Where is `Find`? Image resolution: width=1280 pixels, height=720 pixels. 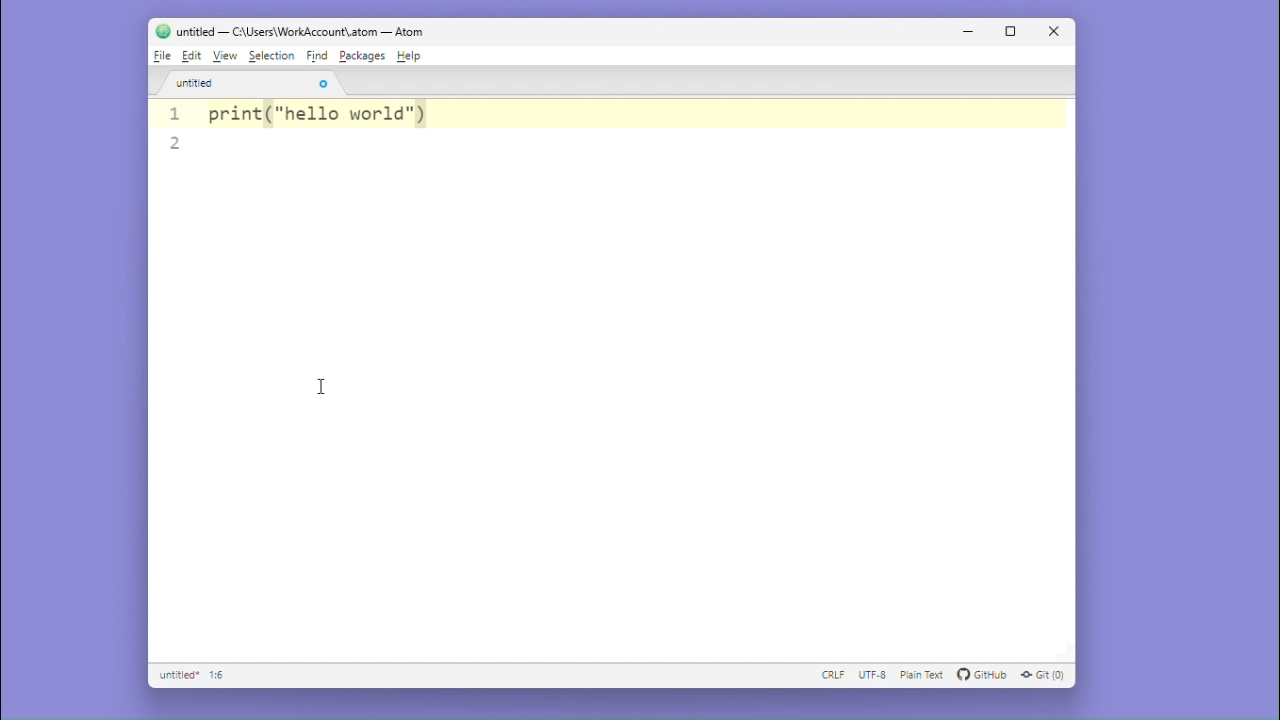 Find is located at coordinates (316, 58).